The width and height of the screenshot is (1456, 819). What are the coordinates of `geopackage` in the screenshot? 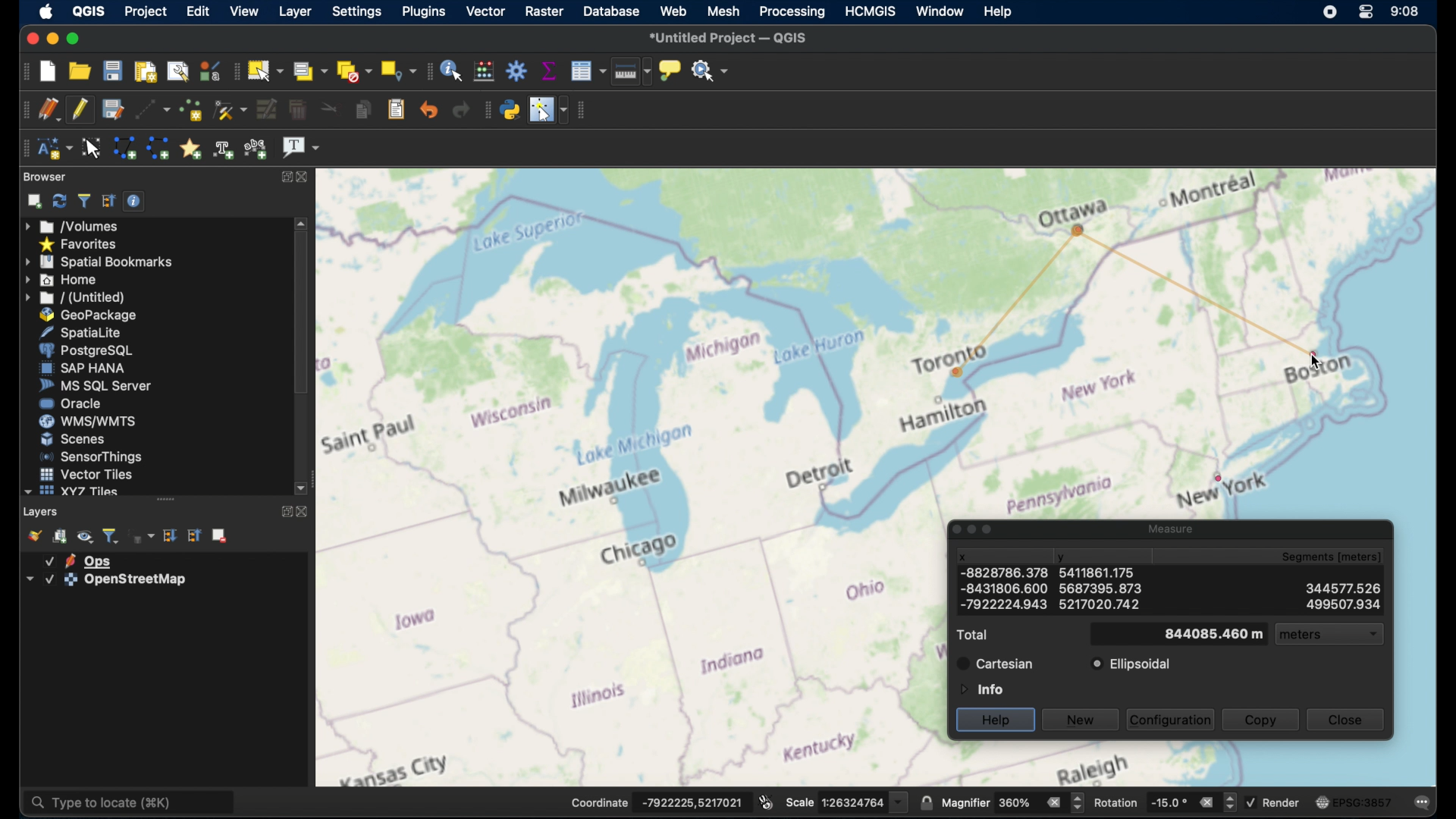 It's located at (89, 315).